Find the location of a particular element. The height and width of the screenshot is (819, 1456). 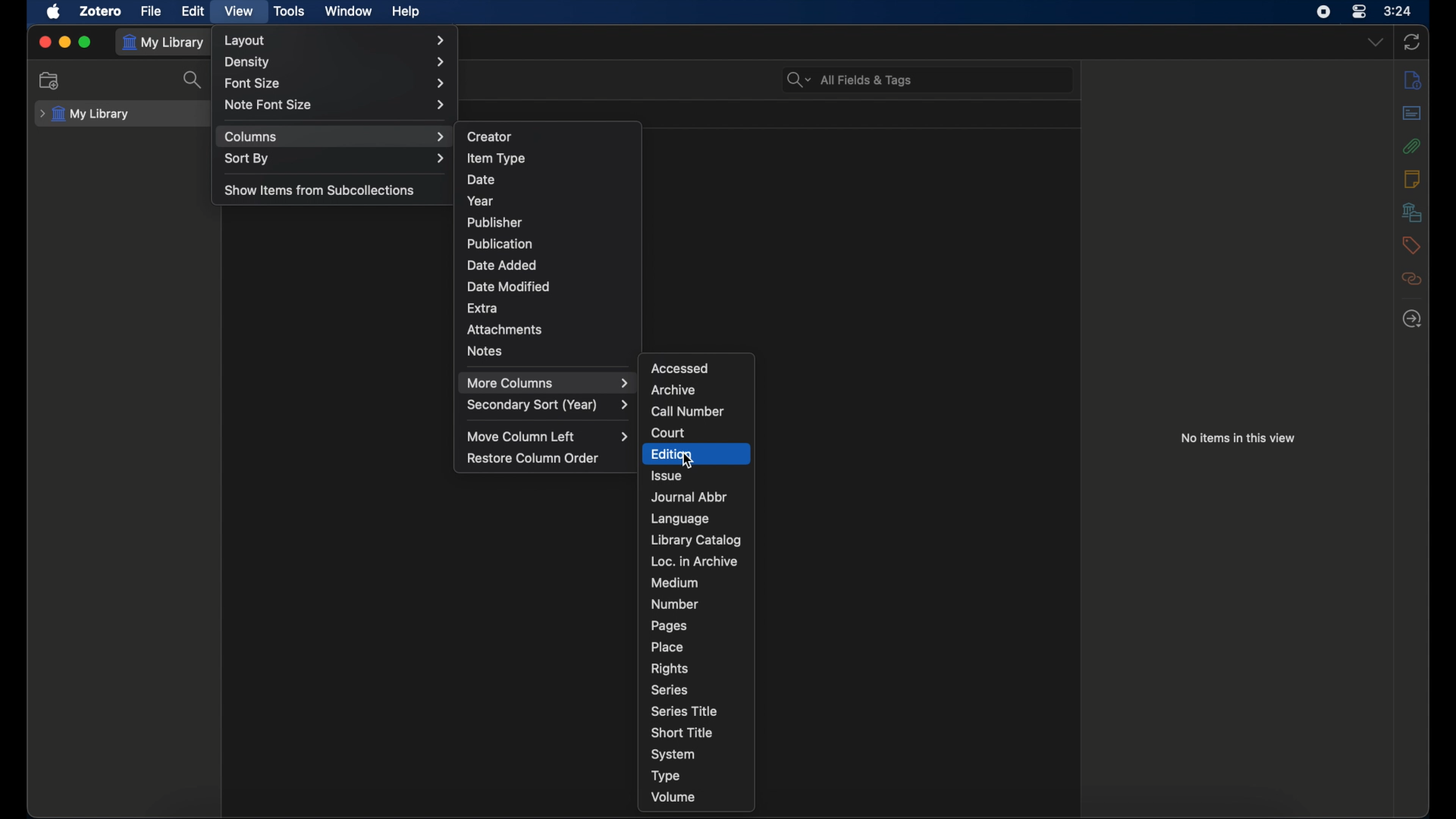

more columns is located at coordinates (548, 383).